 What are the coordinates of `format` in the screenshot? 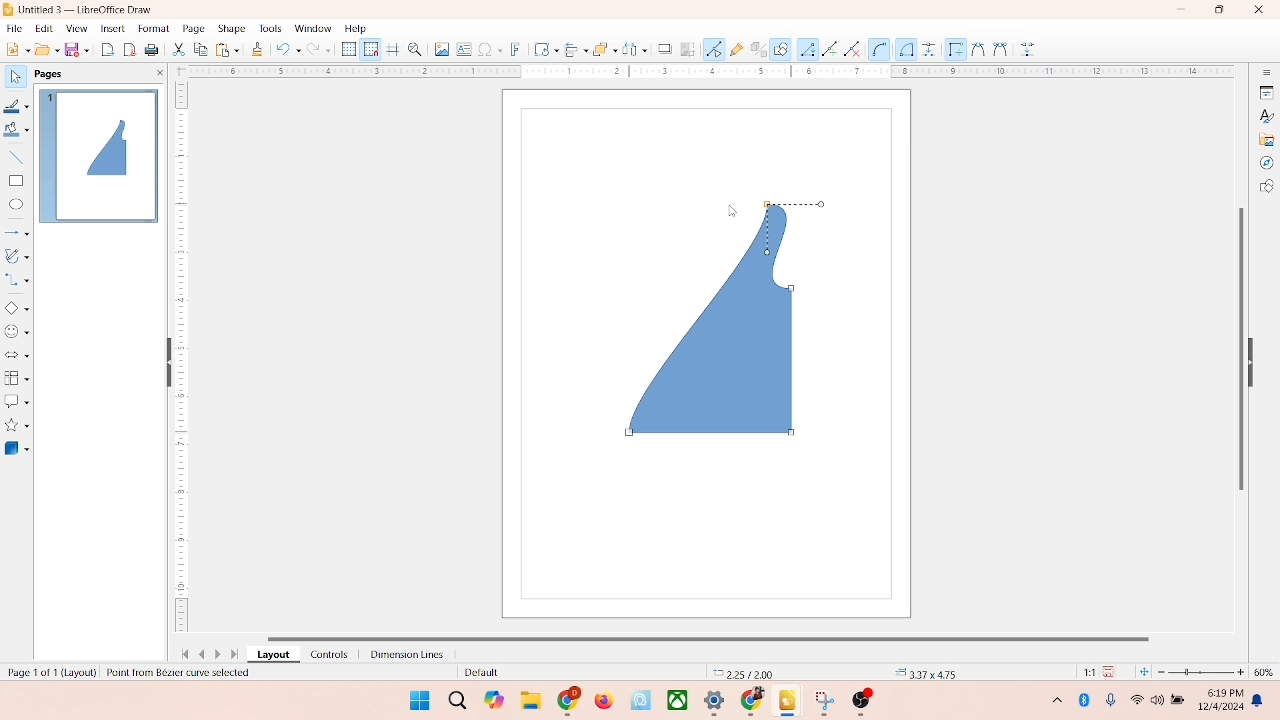 It's located at (153, 27).